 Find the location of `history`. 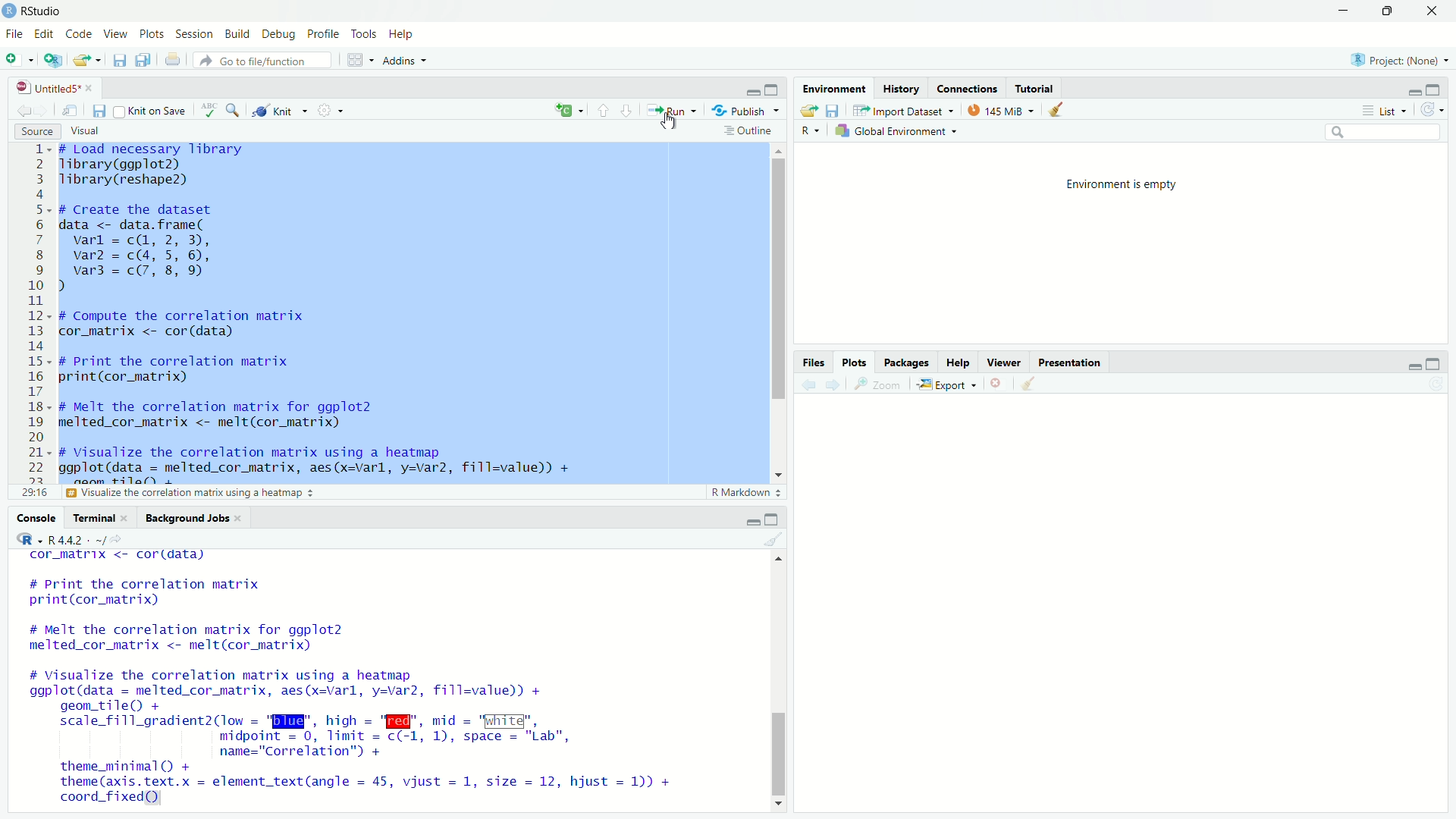

history is located at coordinates (903, 88).